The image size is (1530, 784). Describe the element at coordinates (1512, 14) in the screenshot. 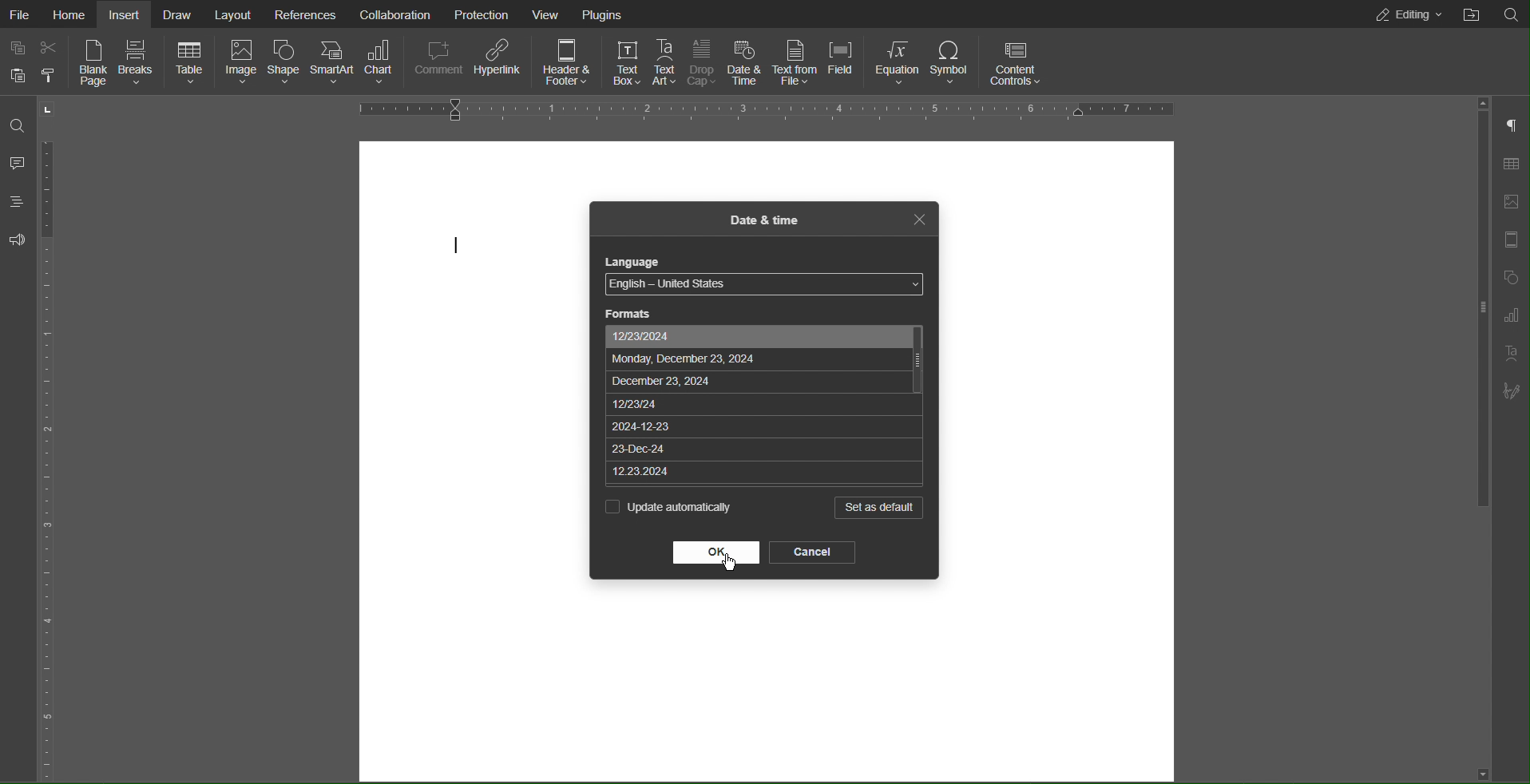

I see `Open File Location` at that location.